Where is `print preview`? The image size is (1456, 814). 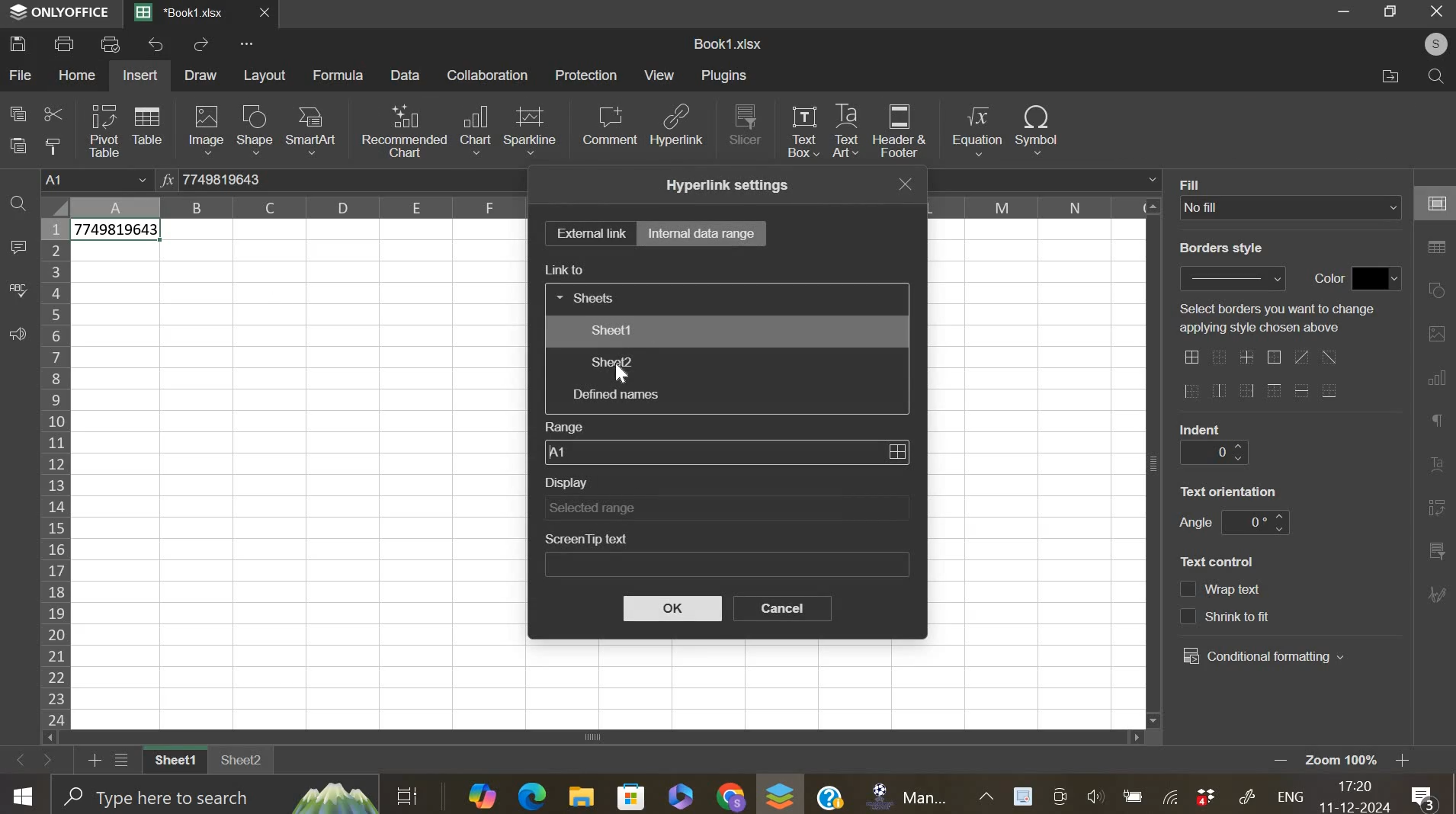 print preview is located at coordinates (111, 43).